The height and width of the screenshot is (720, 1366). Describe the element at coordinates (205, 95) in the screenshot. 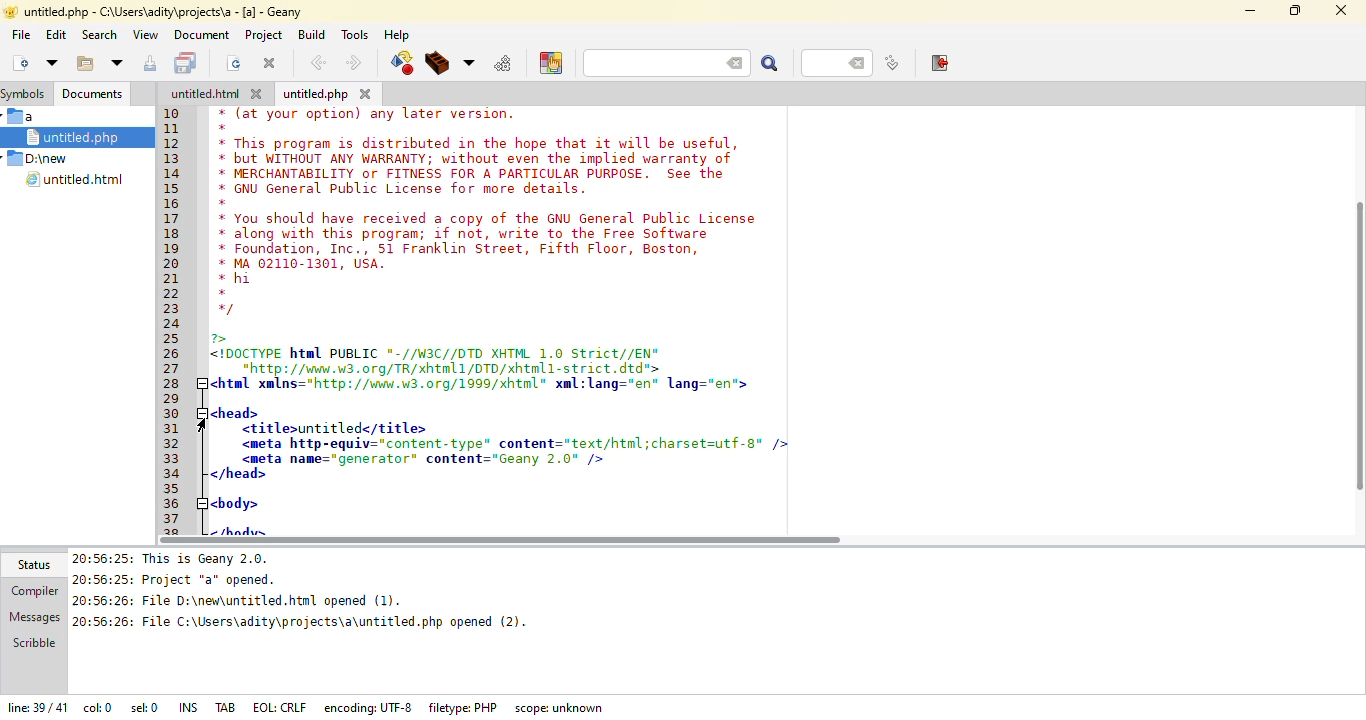

I see `untitled.html` at that location.